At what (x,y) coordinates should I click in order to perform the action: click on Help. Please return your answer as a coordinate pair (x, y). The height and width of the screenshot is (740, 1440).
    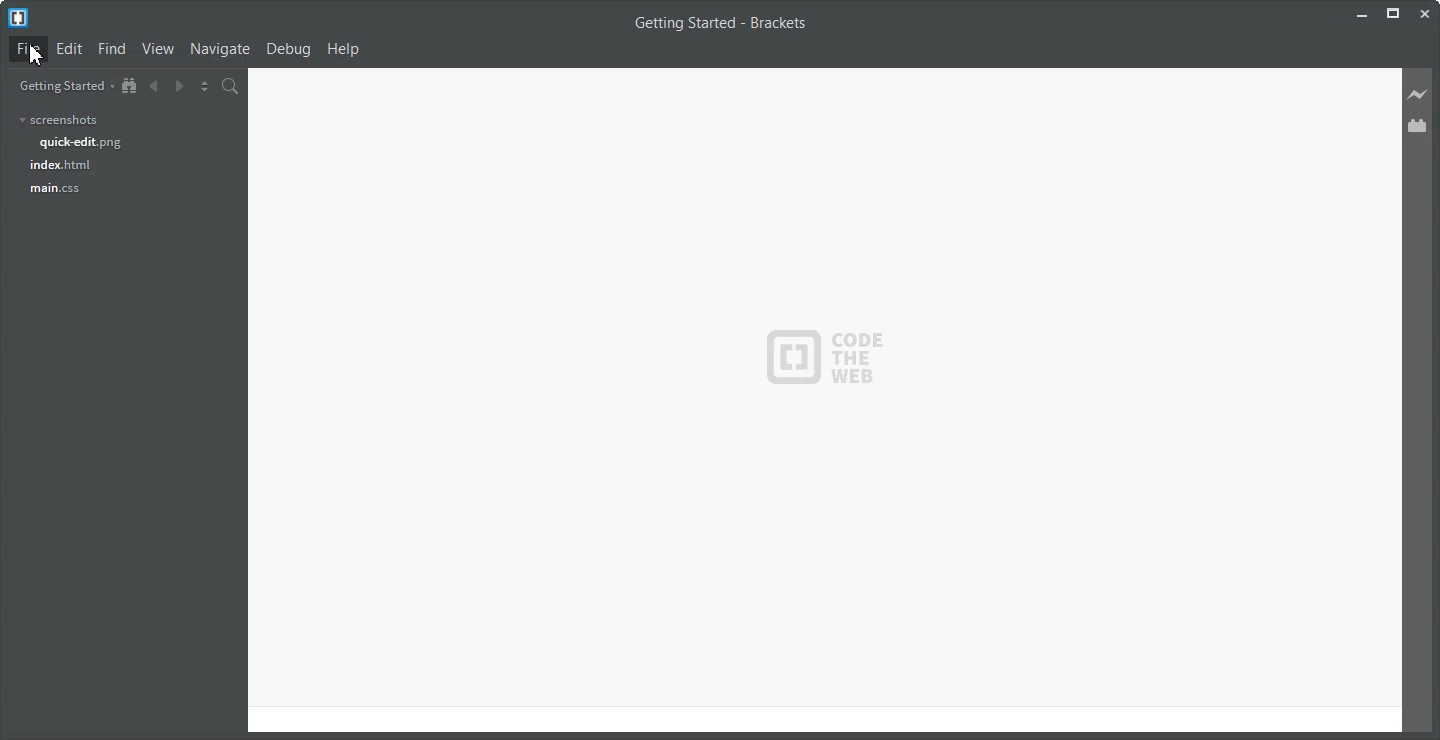
    Looking at the image, I should click on (343, 49).